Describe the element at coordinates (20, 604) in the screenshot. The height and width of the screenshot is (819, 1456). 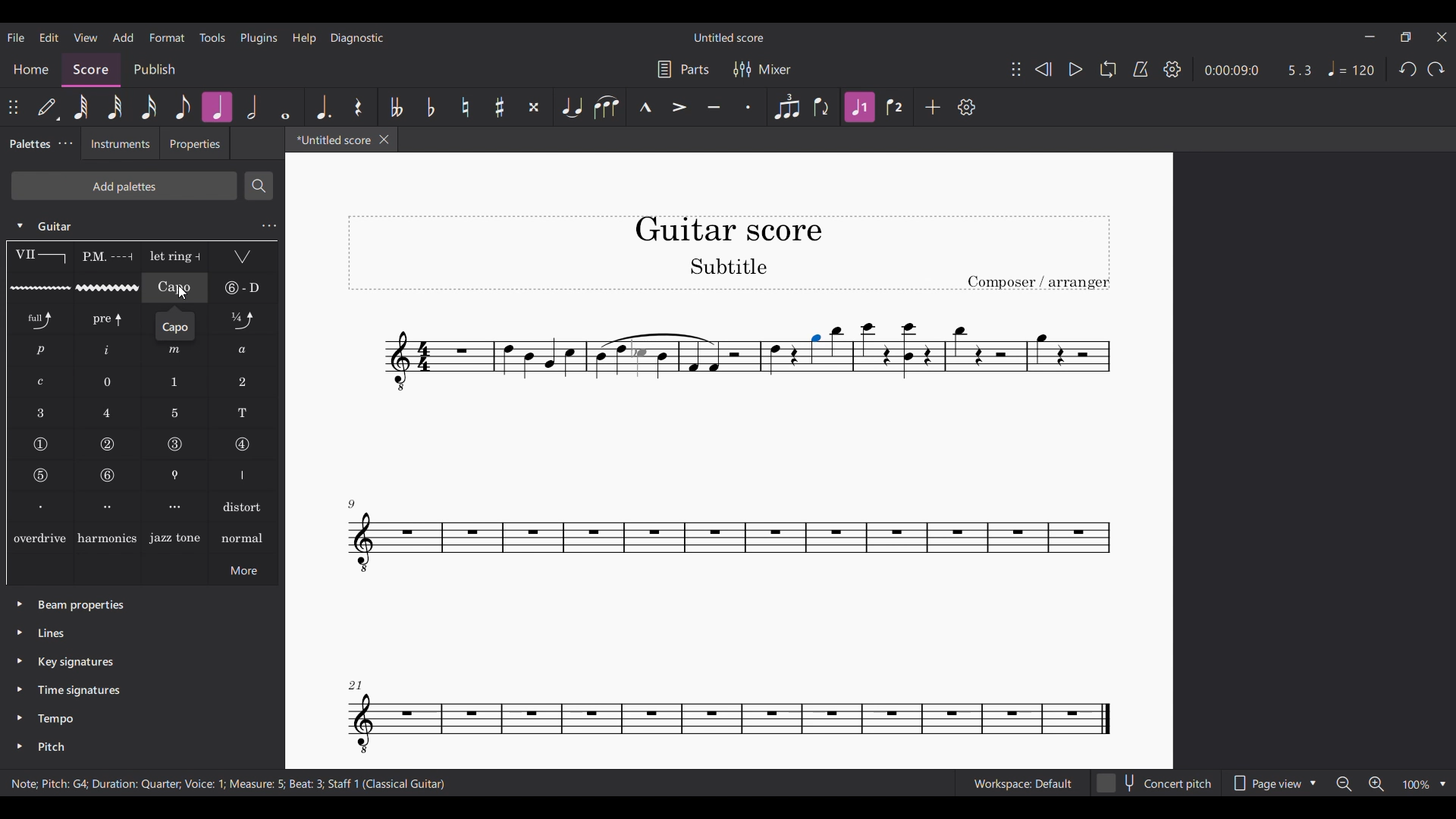
I see `Click to expand beam properties` at that location.